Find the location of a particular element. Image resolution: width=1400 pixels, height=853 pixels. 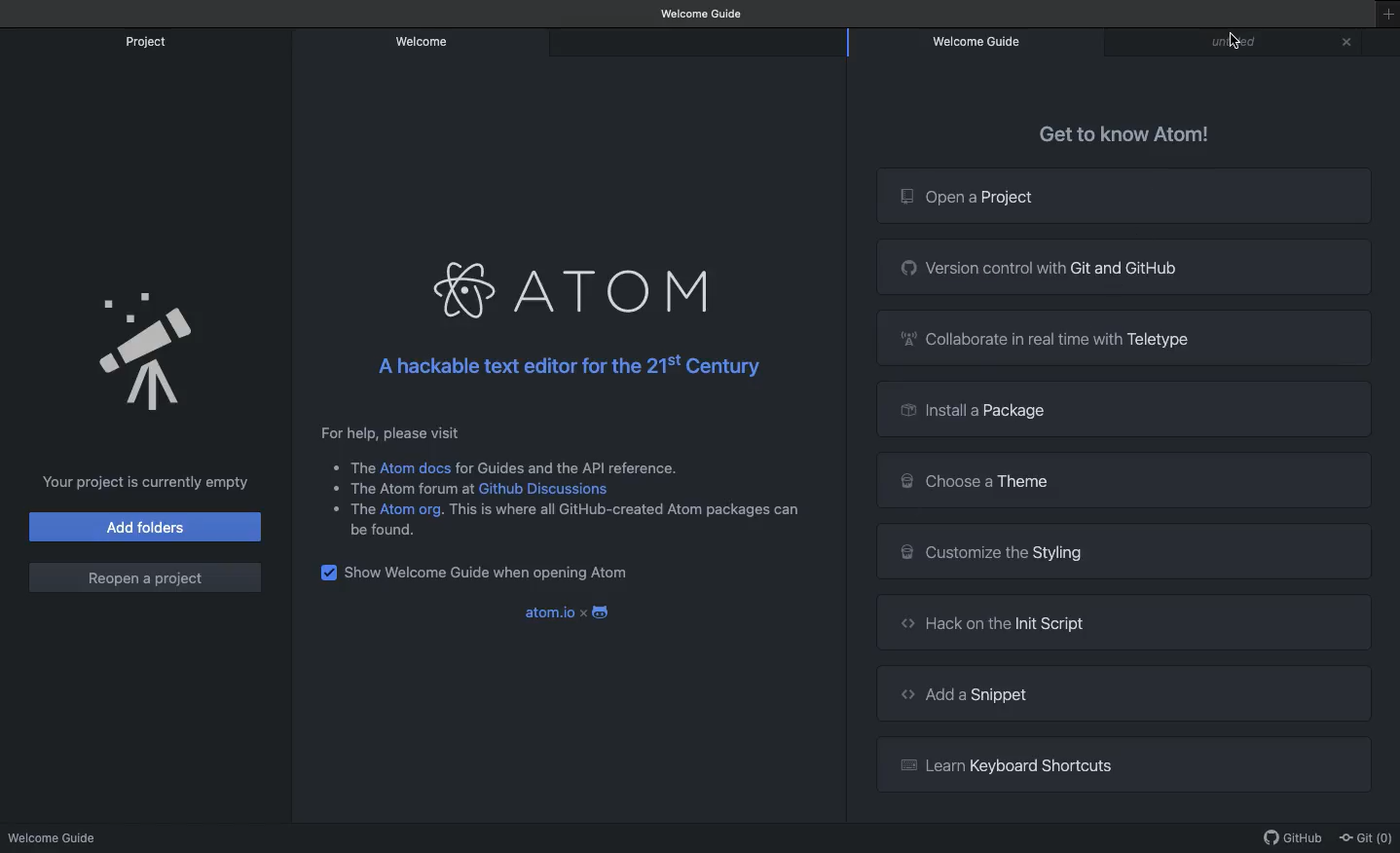

Project logo is located at coordinates (903, 198).